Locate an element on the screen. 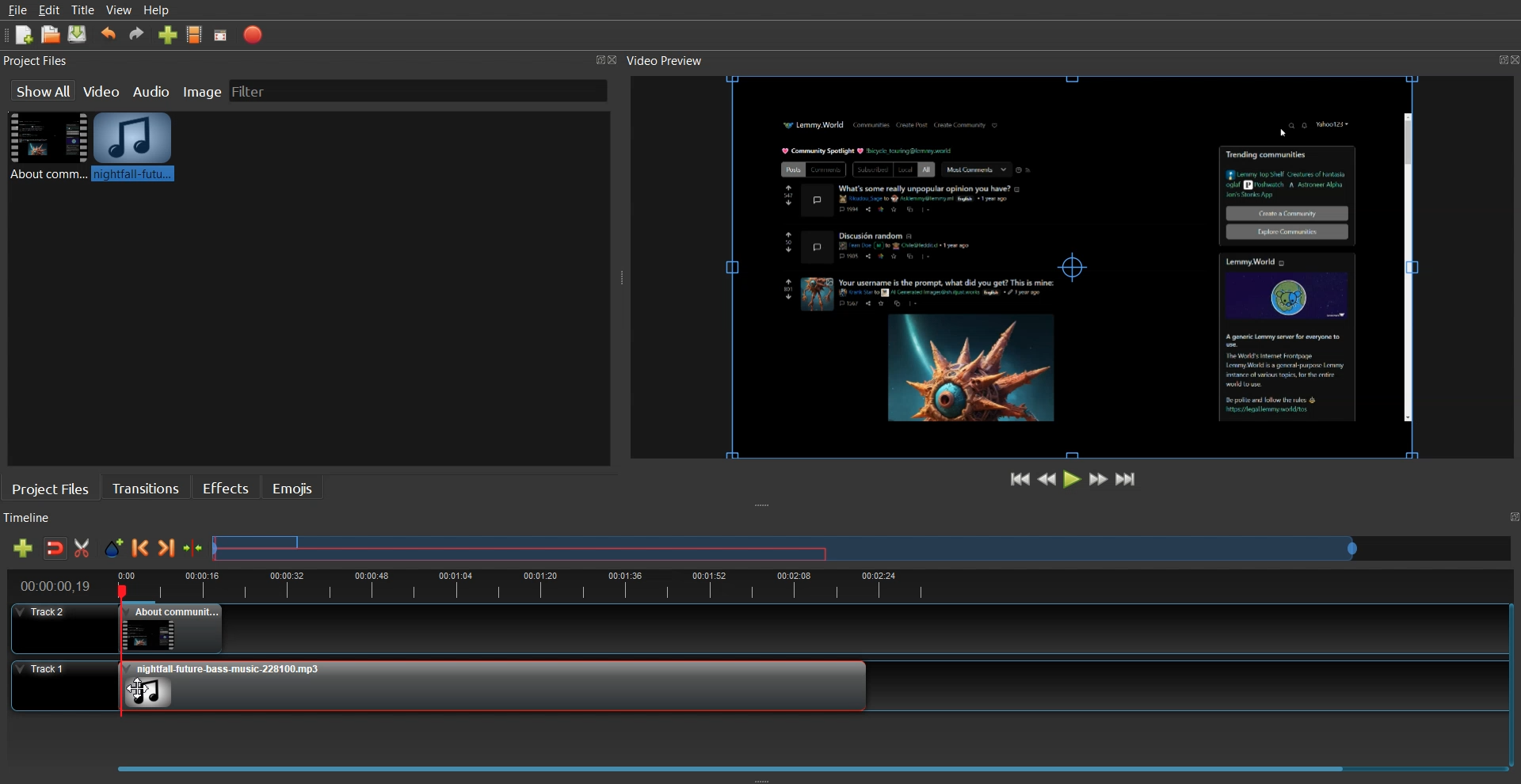 This screenshot has width=1521, height=784. Image is located at coordinates (202, 89).